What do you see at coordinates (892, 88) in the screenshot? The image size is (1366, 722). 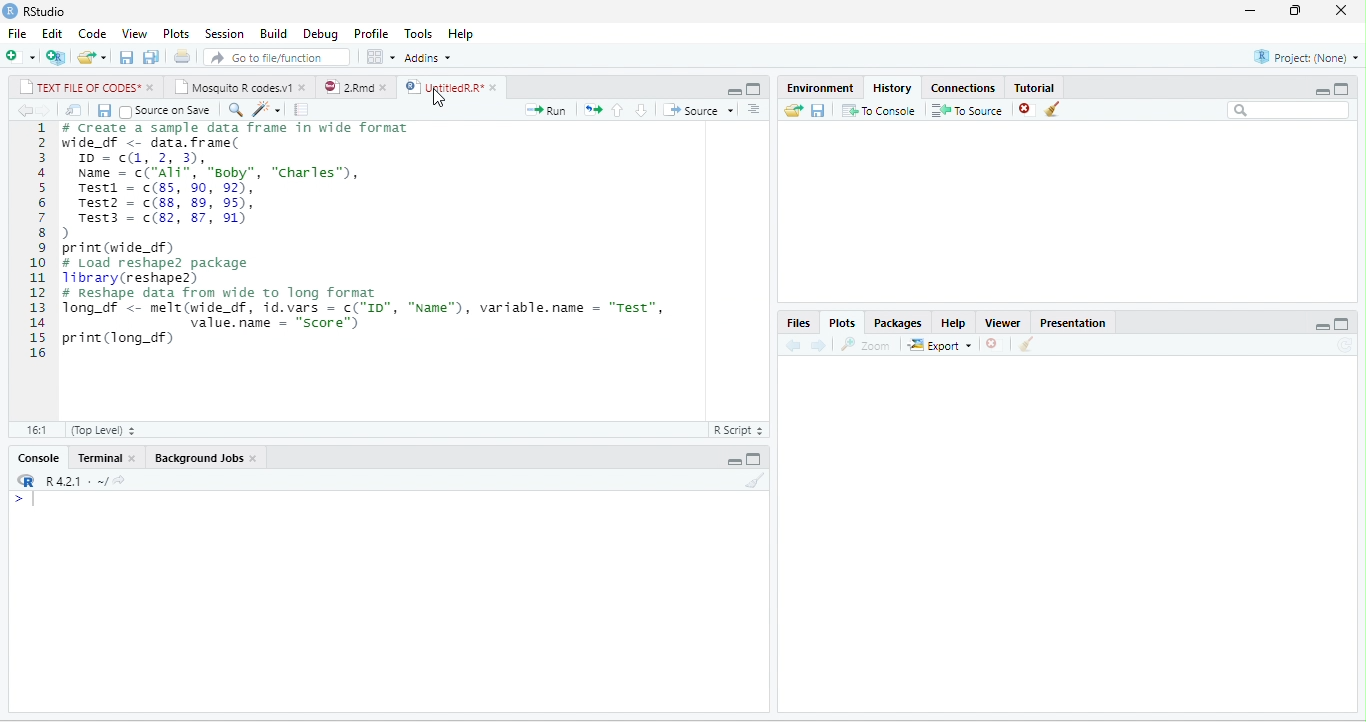 I see `History` at bounding box center [892, 88].